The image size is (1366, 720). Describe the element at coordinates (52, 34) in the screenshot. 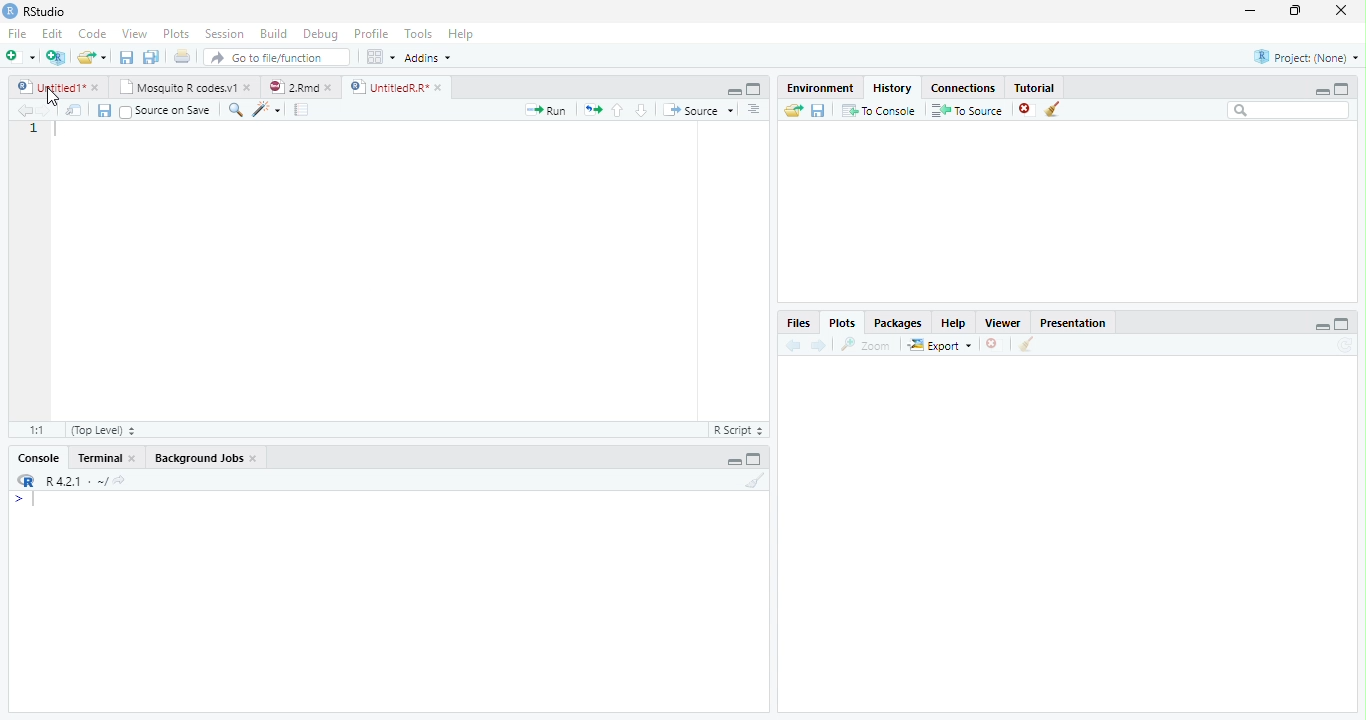

I see `Edit` at that location.